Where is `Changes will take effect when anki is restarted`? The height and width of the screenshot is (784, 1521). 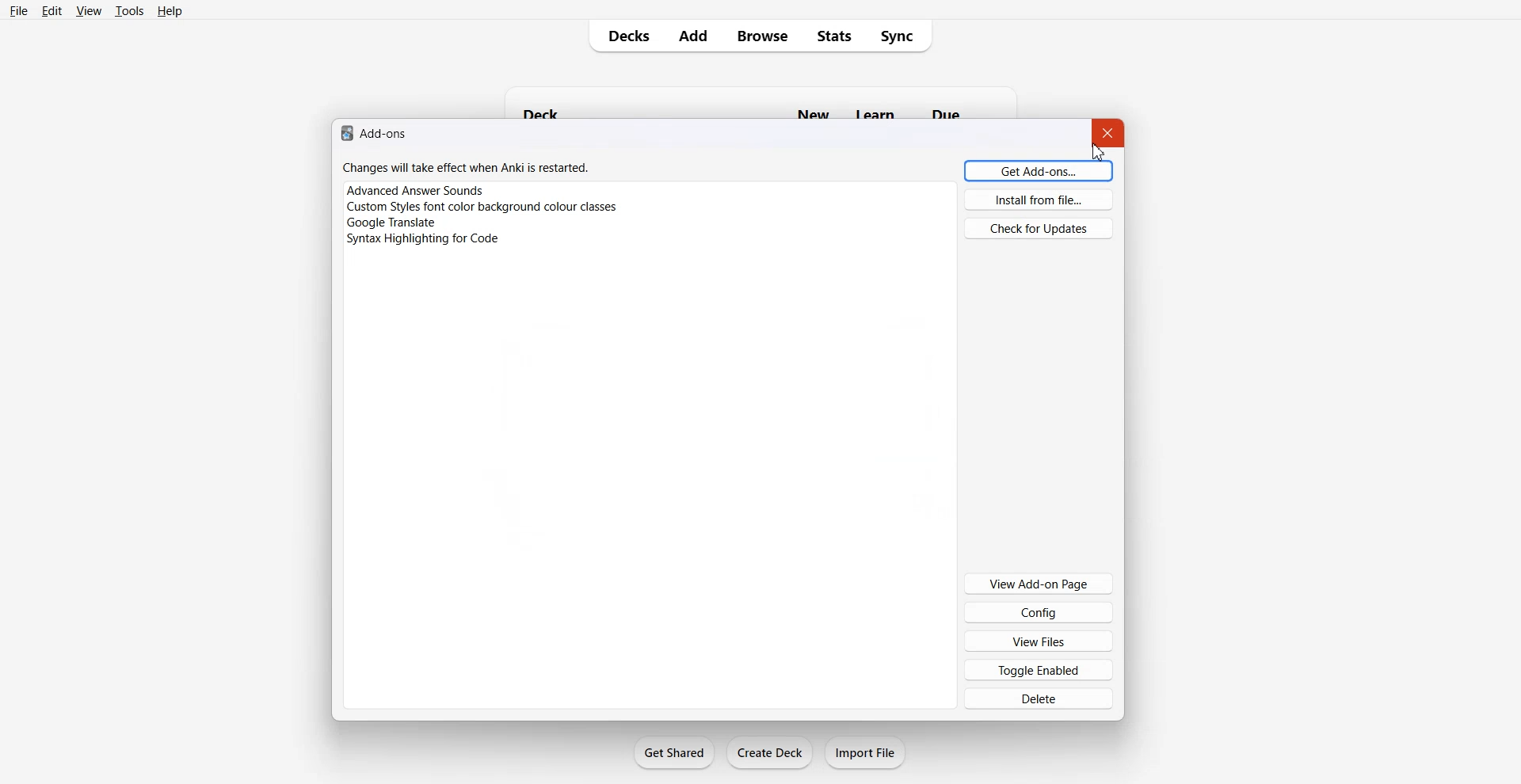 Changes will take effect when anki is restarted is located at coordinates (466, 168).